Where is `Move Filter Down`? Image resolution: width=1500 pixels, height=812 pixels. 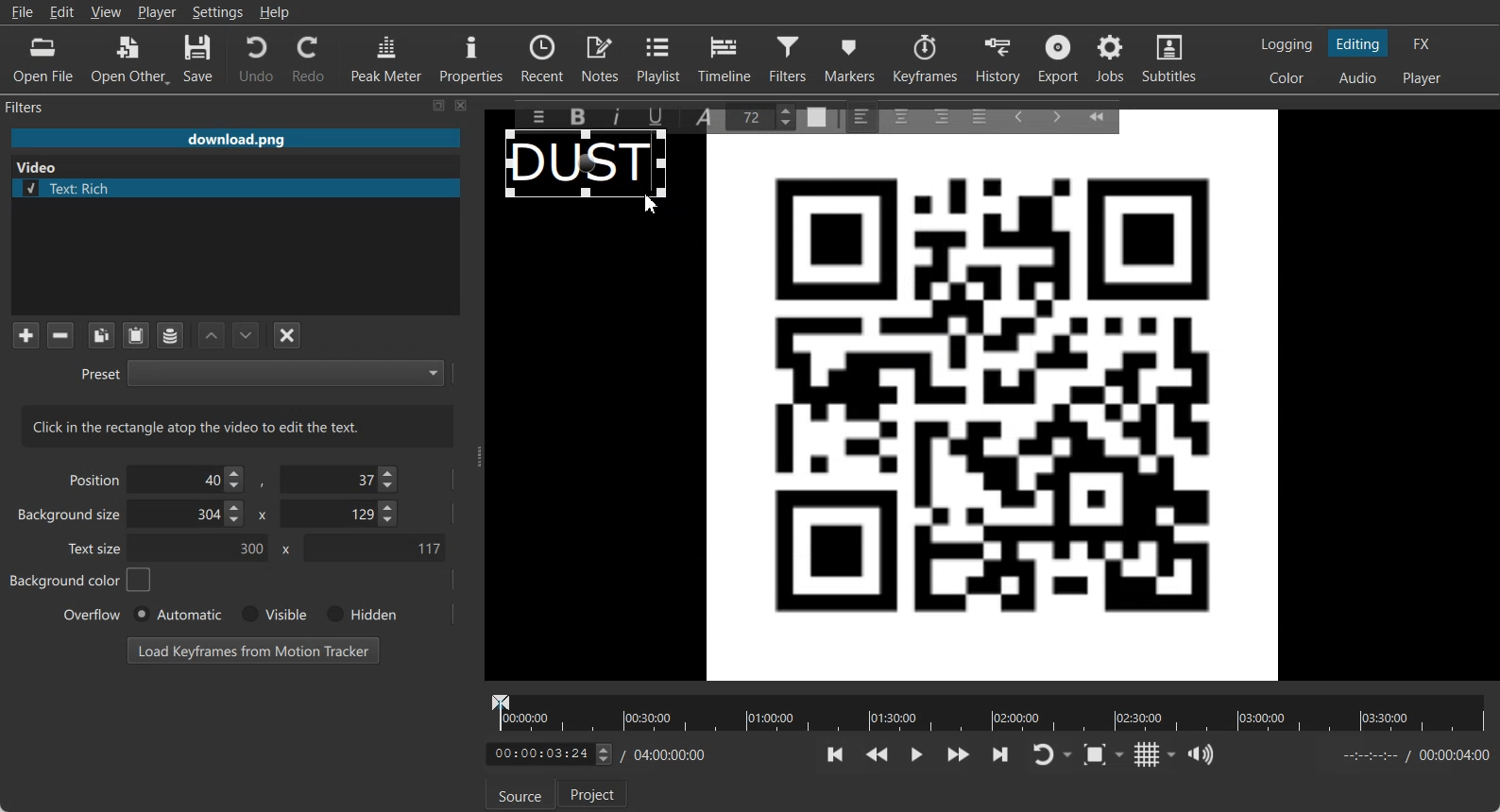 Move Filter Down is located at coordinates (247, 335).